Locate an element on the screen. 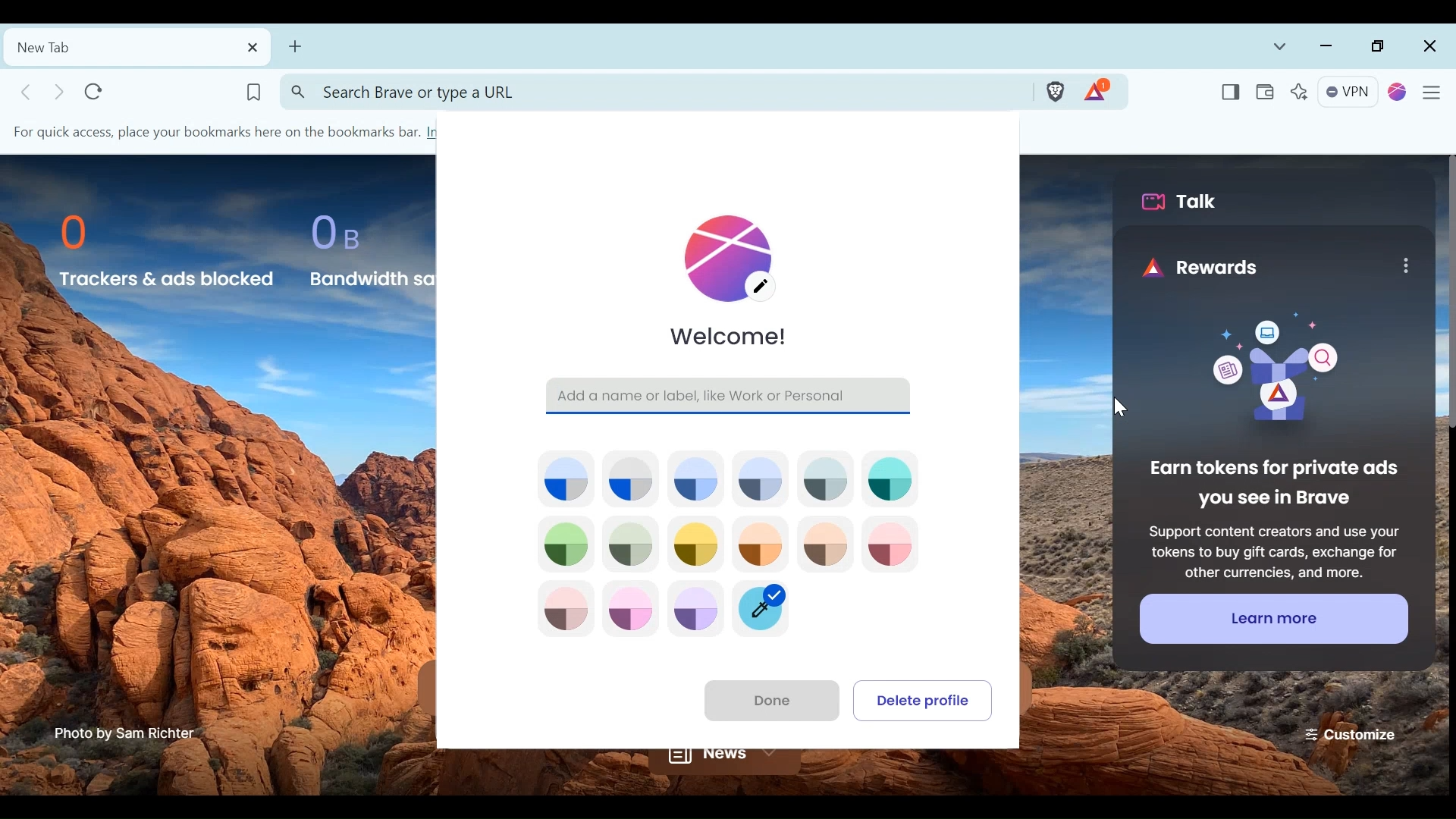 The height and width of the screenshot is (819, 1456). Theme is located at coordinates (824, 545).